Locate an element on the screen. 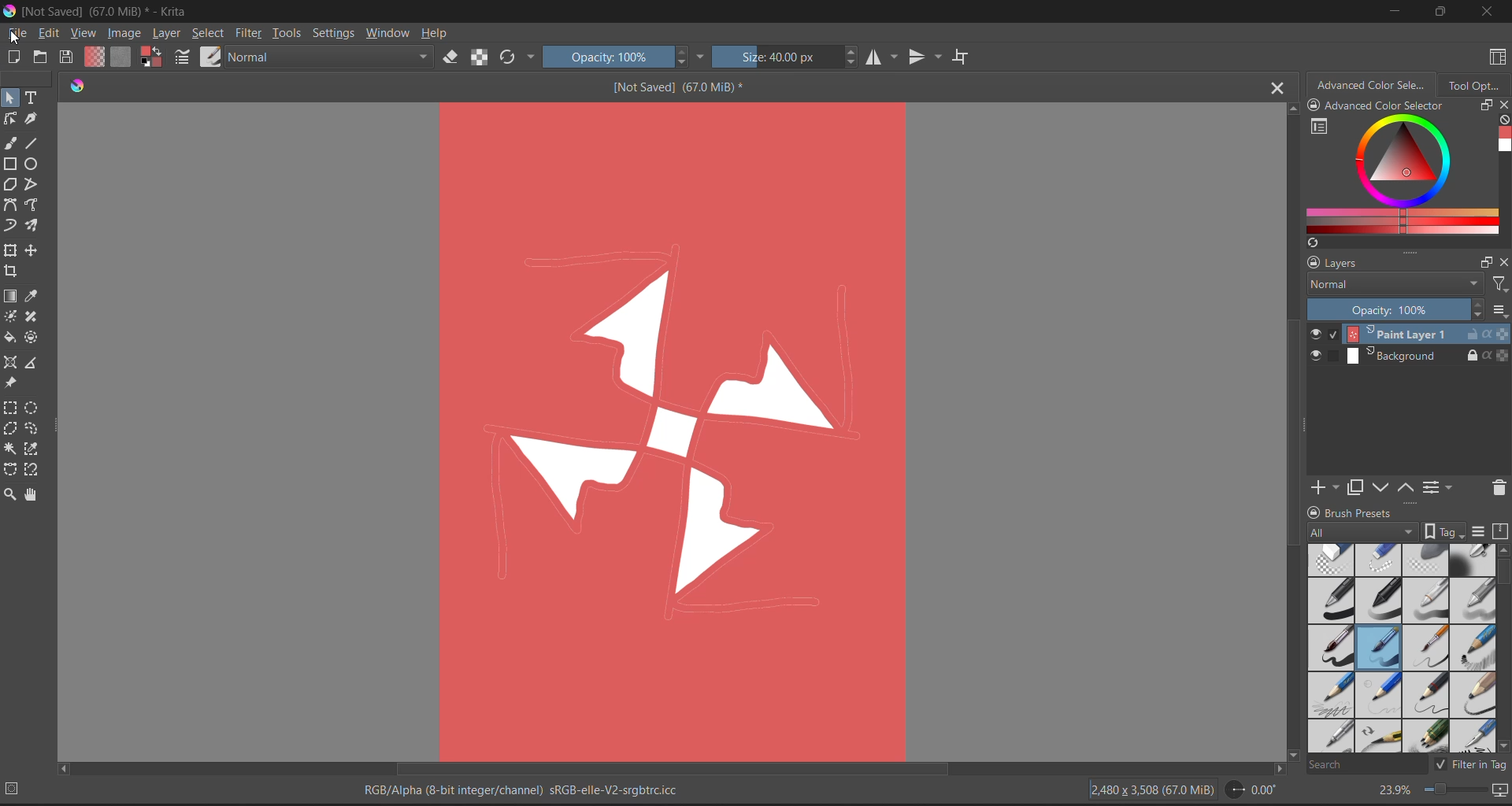  view or change the layer properties is located at coordinates (1439, 486).